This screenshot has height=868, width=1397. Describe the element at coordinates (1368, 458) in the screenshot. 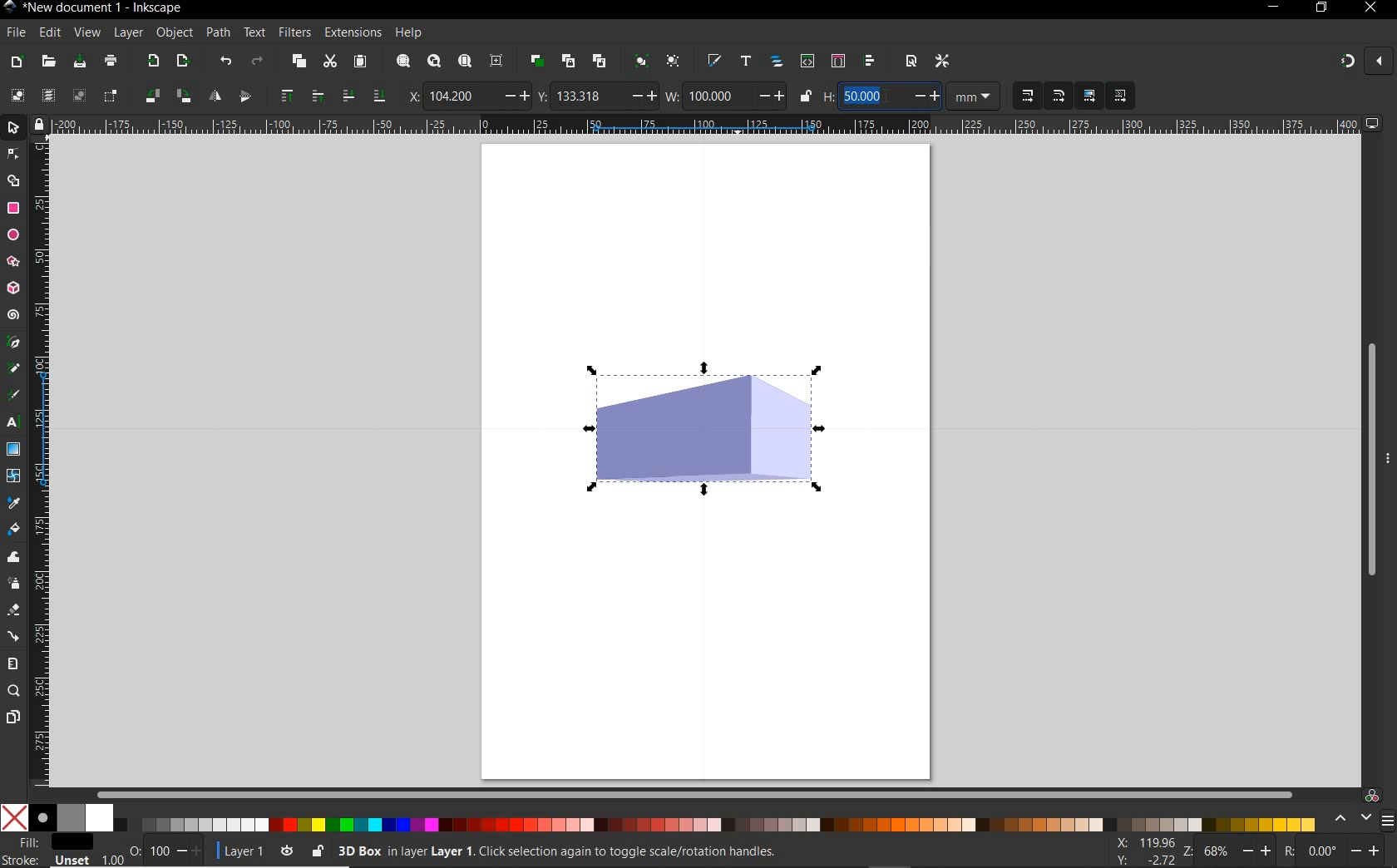

I see `scrollbar` at that location.